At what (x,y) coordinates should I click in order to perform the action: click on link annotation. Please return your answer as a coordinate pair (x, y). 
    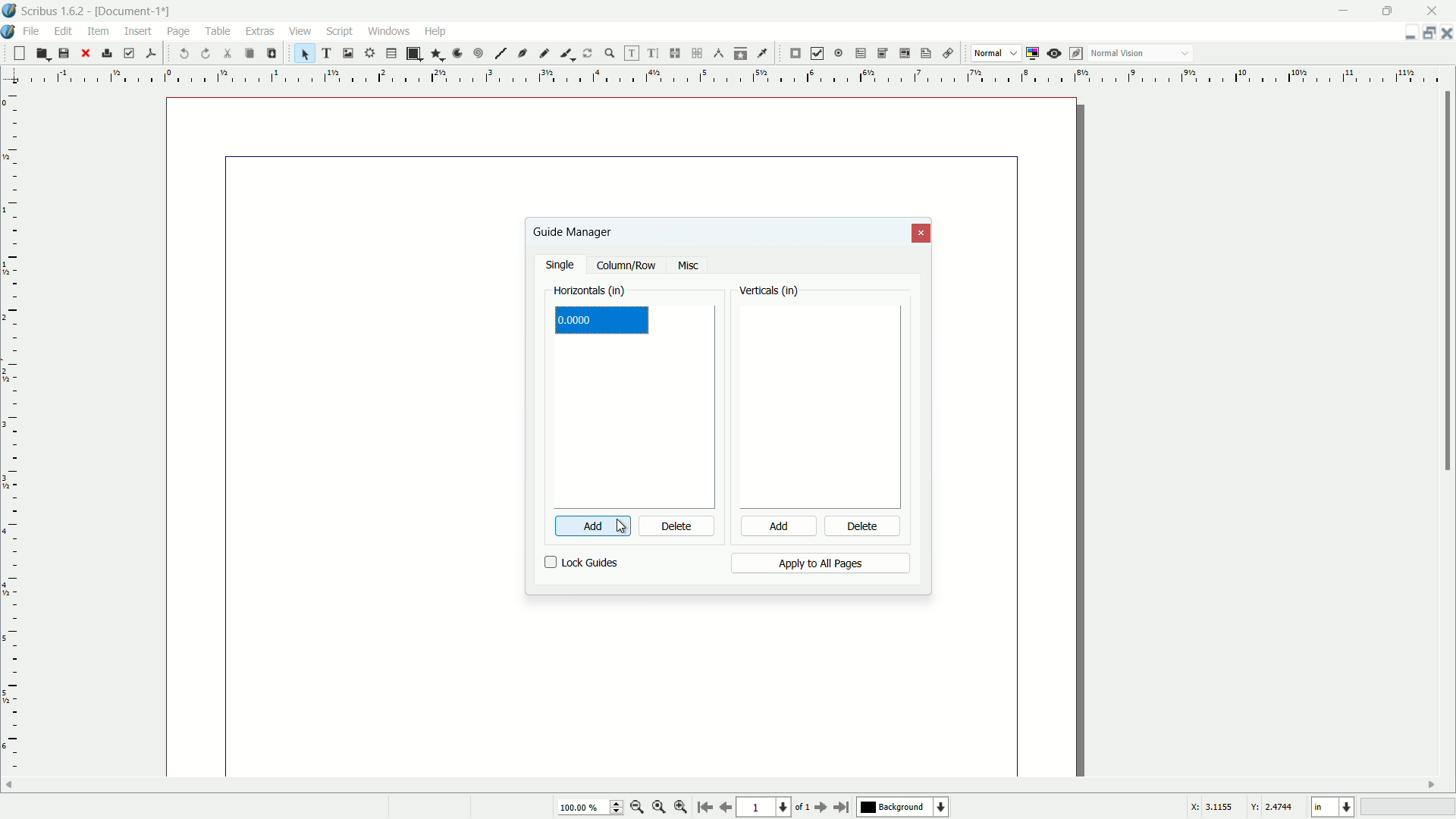
    Looking at the image, I should click on (945, 54).